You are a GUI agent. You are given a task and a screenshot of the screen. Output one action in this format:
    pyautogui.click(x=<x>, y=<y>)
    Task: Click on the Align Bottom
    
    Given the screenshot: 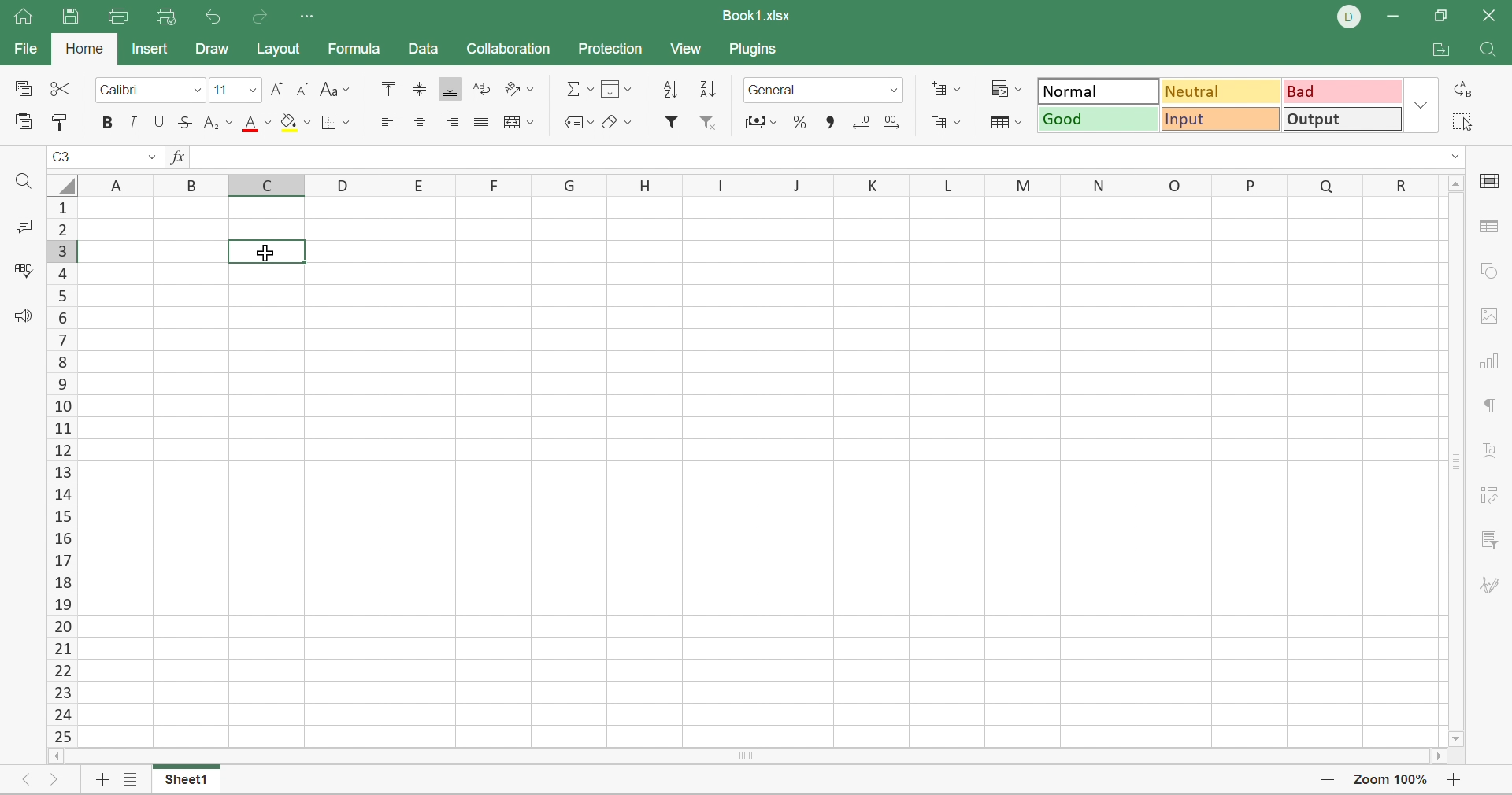 What is the action you would take?
    pyautogui.click(x=448, y=90)
    